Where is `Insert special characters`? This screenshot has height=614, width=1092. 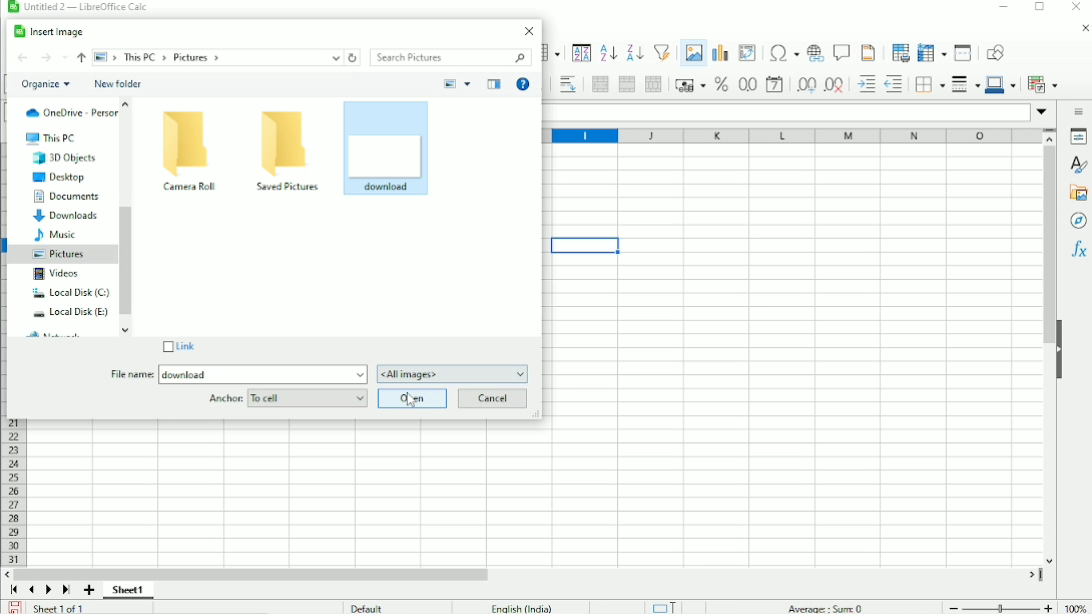
Insert special characters is located at coordinates (782, 53).